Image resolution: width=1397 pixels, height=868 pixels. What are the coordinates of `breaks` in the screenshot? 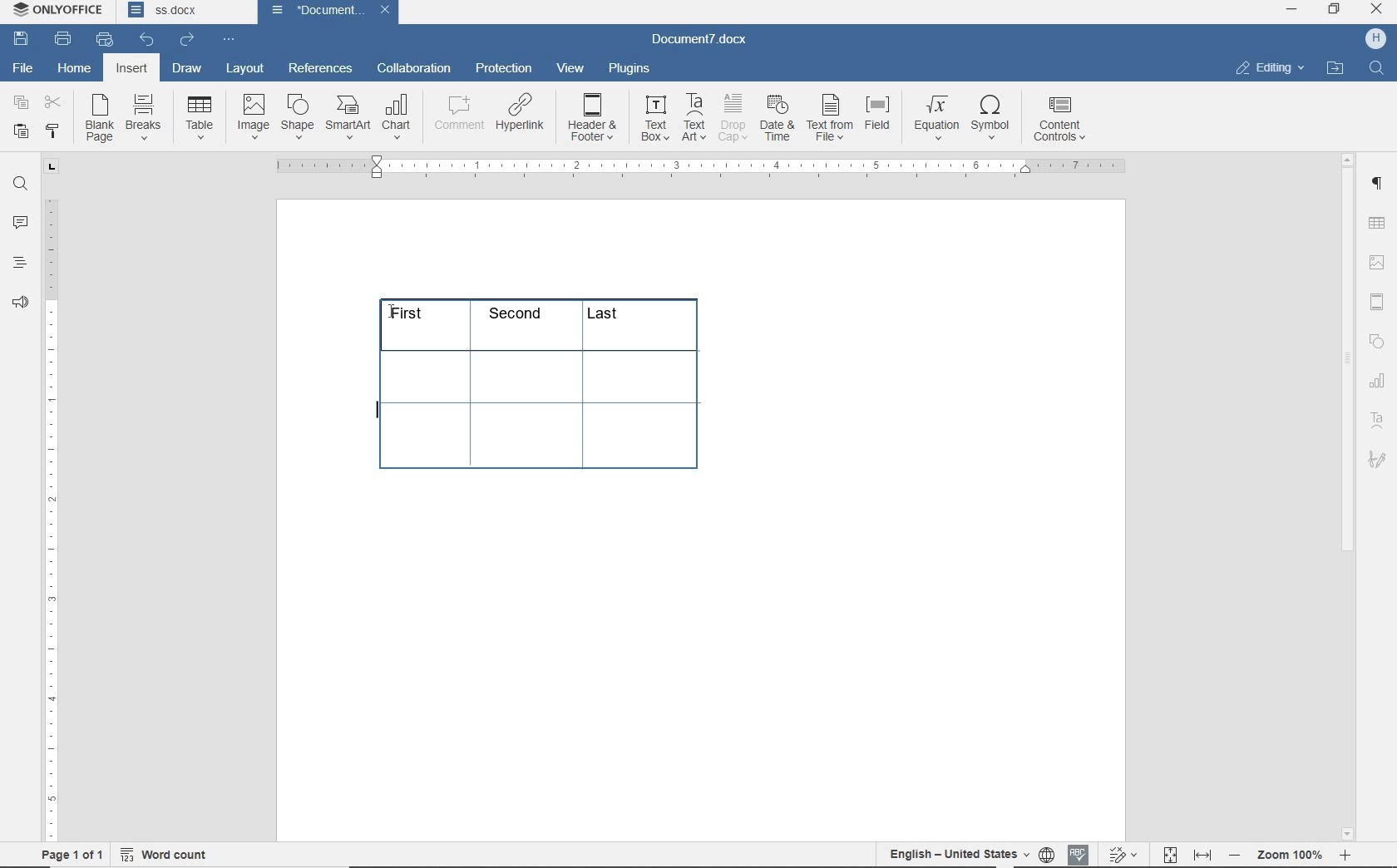 It's located at (146, 117).